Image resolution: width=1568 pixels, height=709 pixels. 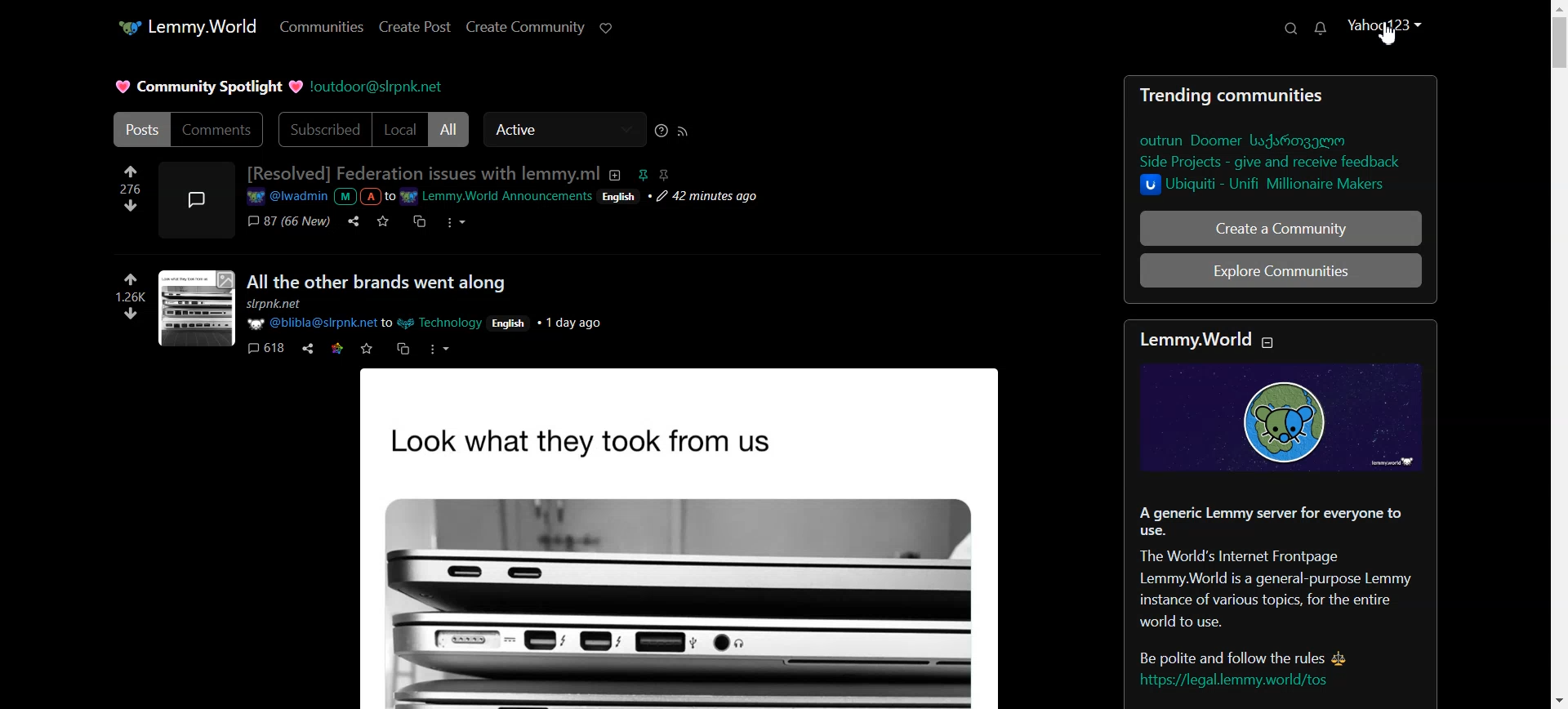 What do you see at coordinates (506, 196) in the screenshot?
I see `Hyperlink` at bounding box center [506, 196].